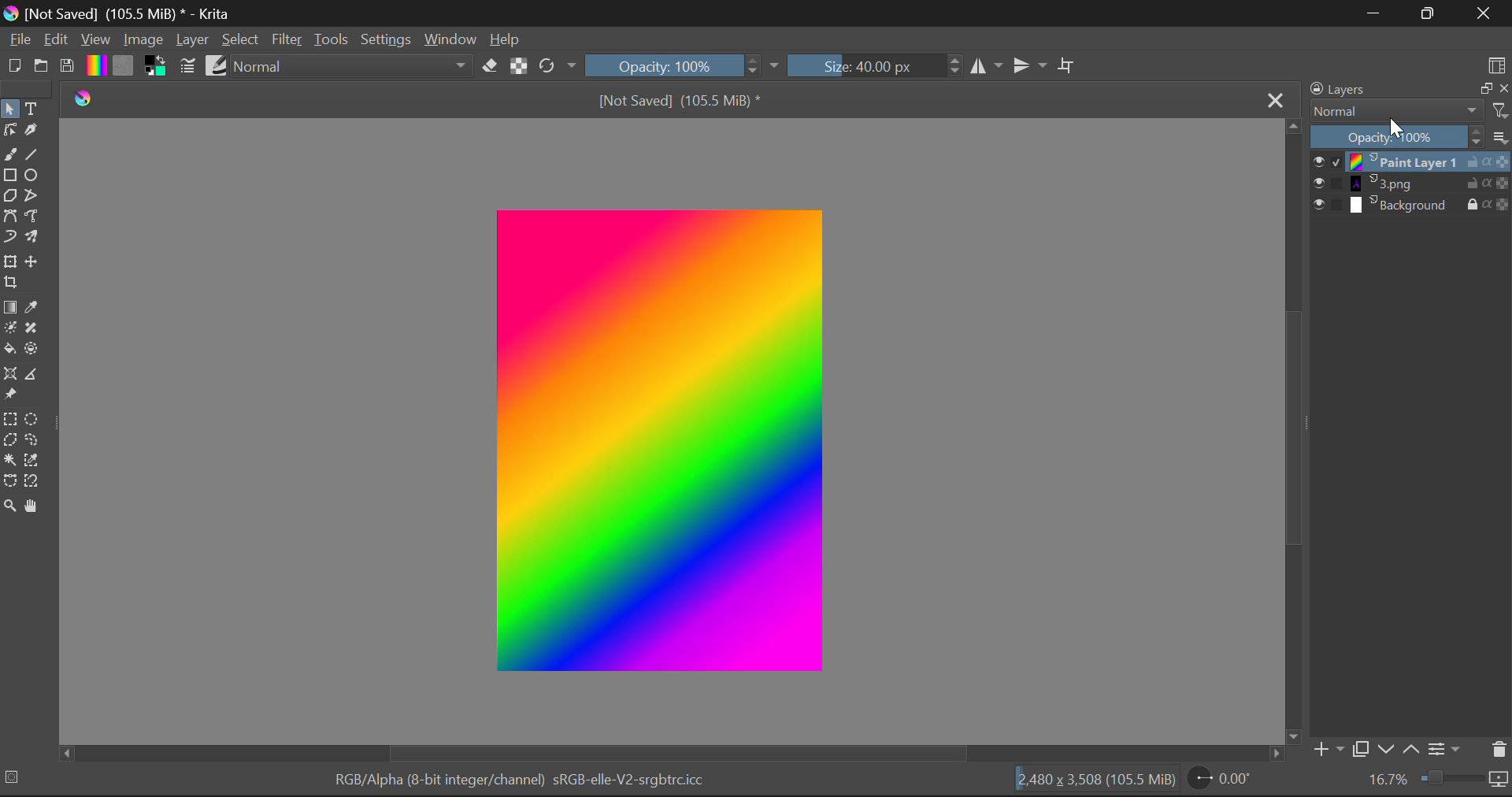  I want to click on Select, so click(9, 109).